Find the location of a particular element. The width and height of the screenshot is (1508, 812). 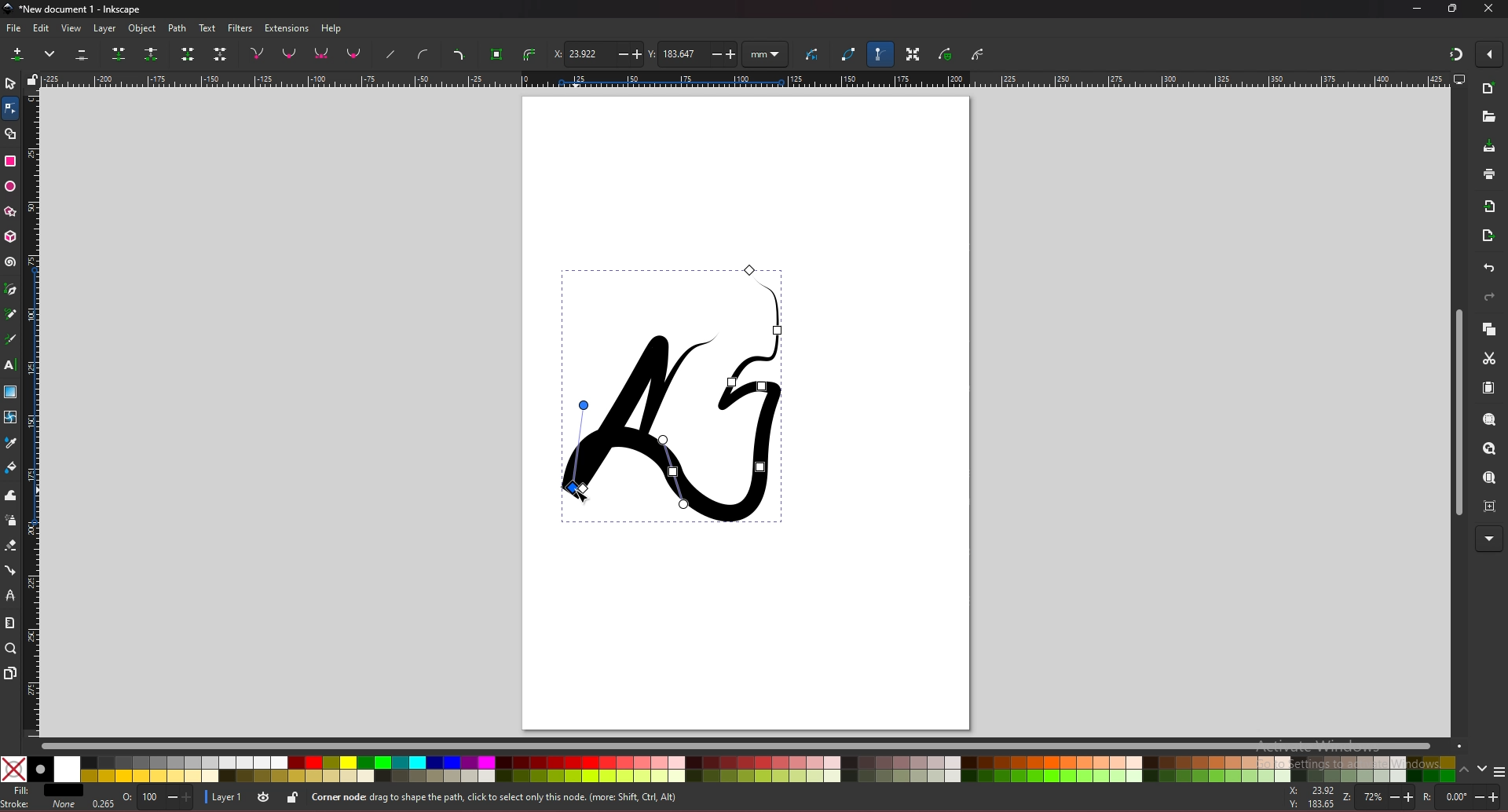

stroke is located at coordinates (39, 807).